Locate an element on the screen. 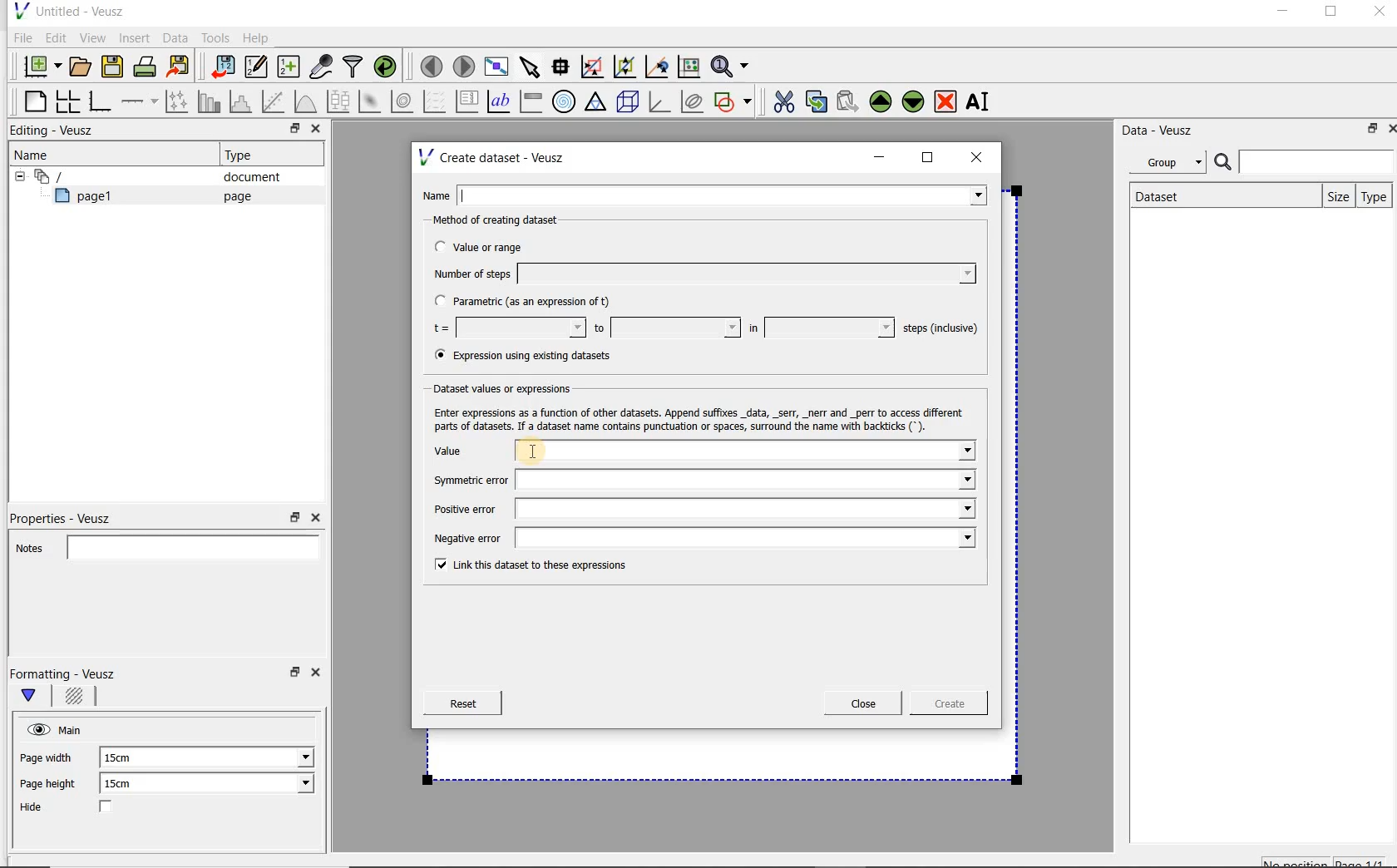 Image resolution: width=1397 pixels, height=868 pixels. Dataset values or expressions is located at coordinates (511, 388).